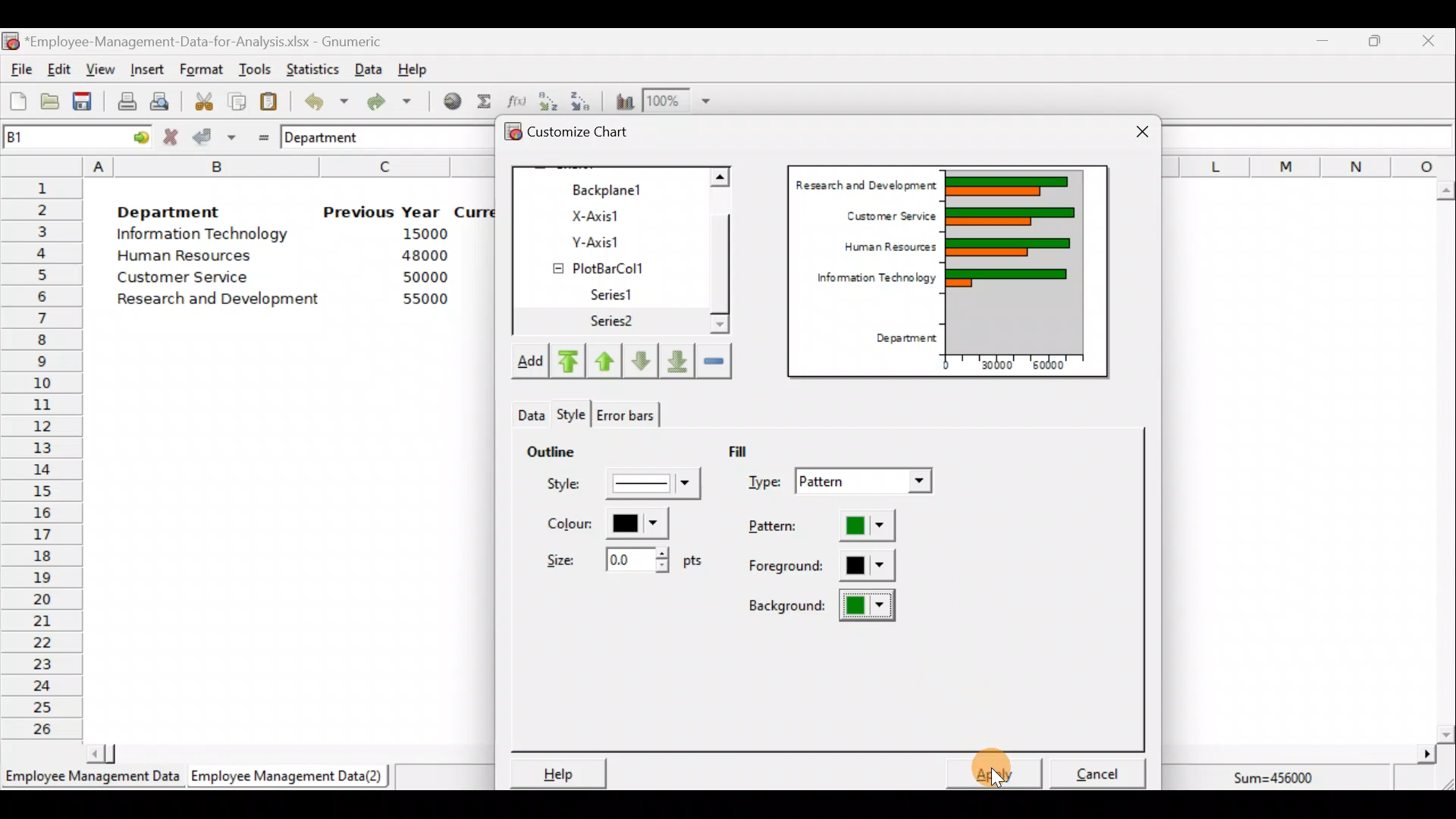  Describe the element at coordinates (283, 752) in the screenshot. I see `Scroll bar` at that location.